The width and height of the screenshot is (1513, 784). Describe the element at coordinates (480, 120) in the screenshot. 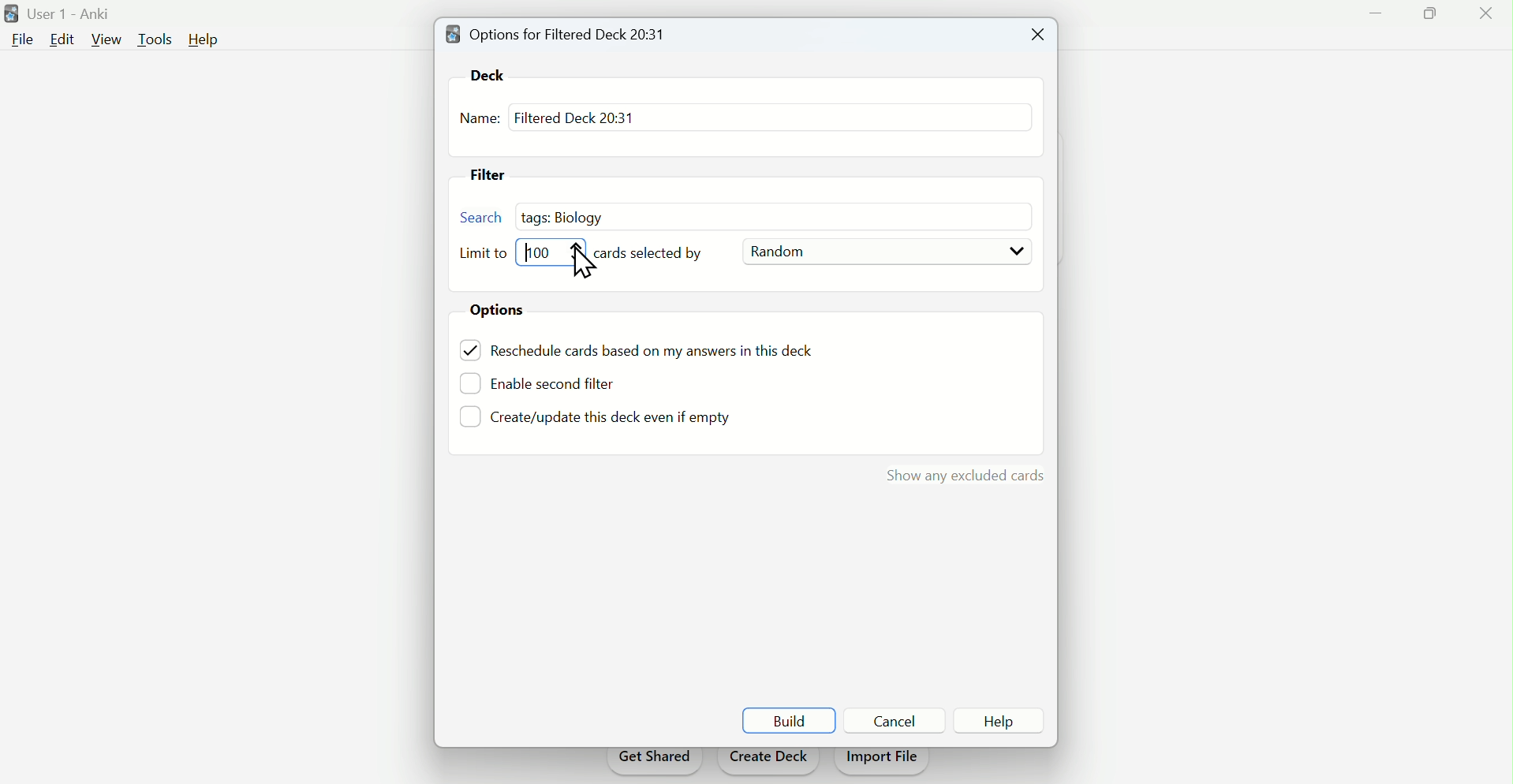

I see `Name:` at that location.